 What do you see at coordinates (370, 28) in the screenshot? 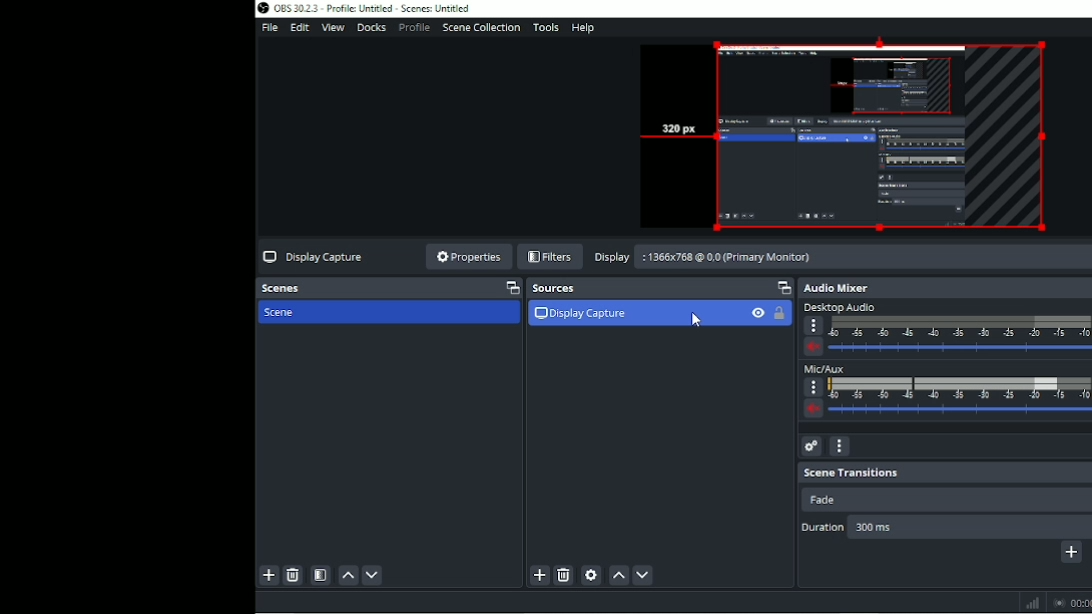
I see `Docks` at bounding box center [370, 28].